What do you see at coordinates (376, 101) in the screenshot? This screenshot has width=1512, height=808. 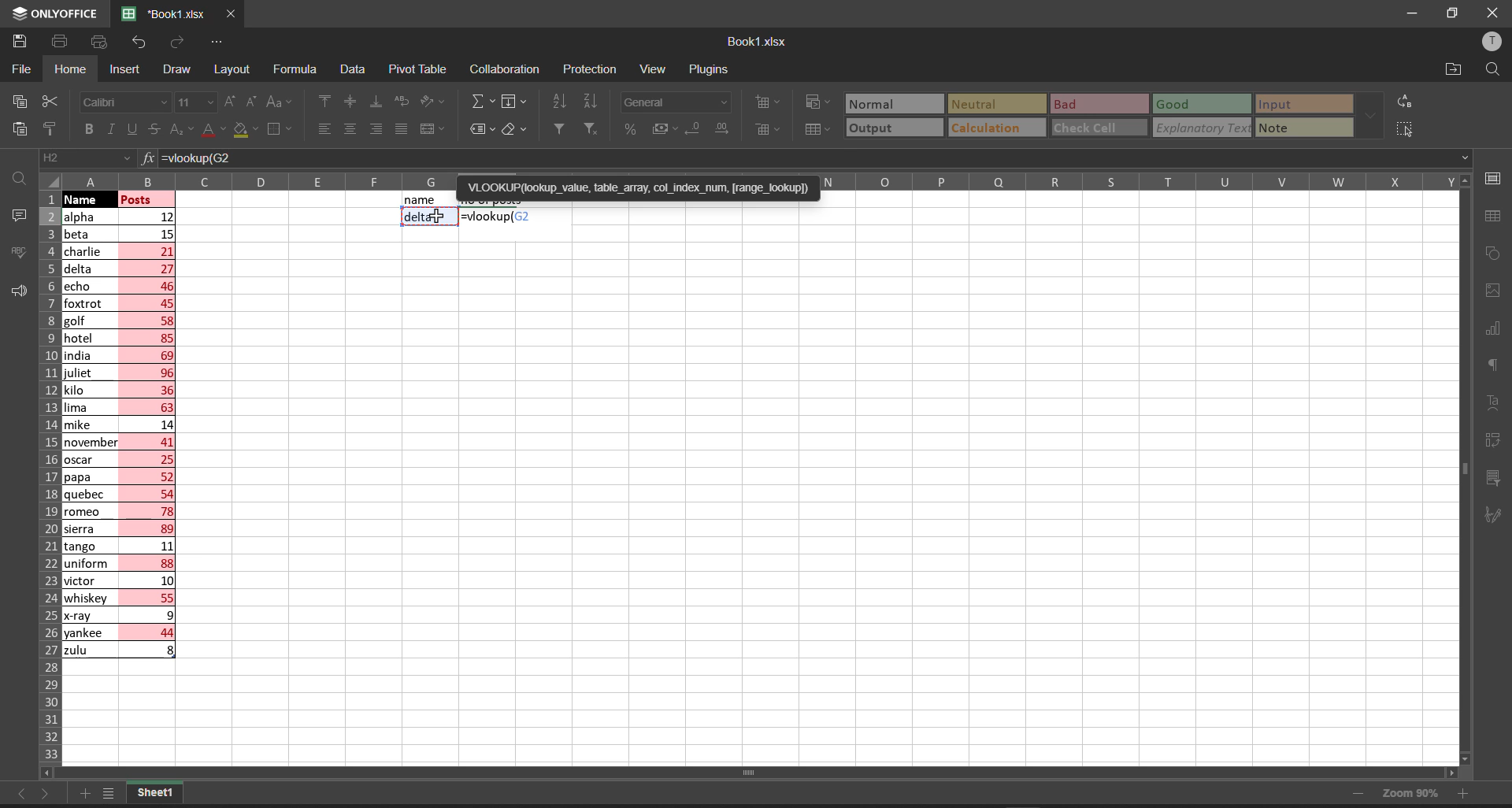 I see `align bottom` at bounding box center [376, 101].